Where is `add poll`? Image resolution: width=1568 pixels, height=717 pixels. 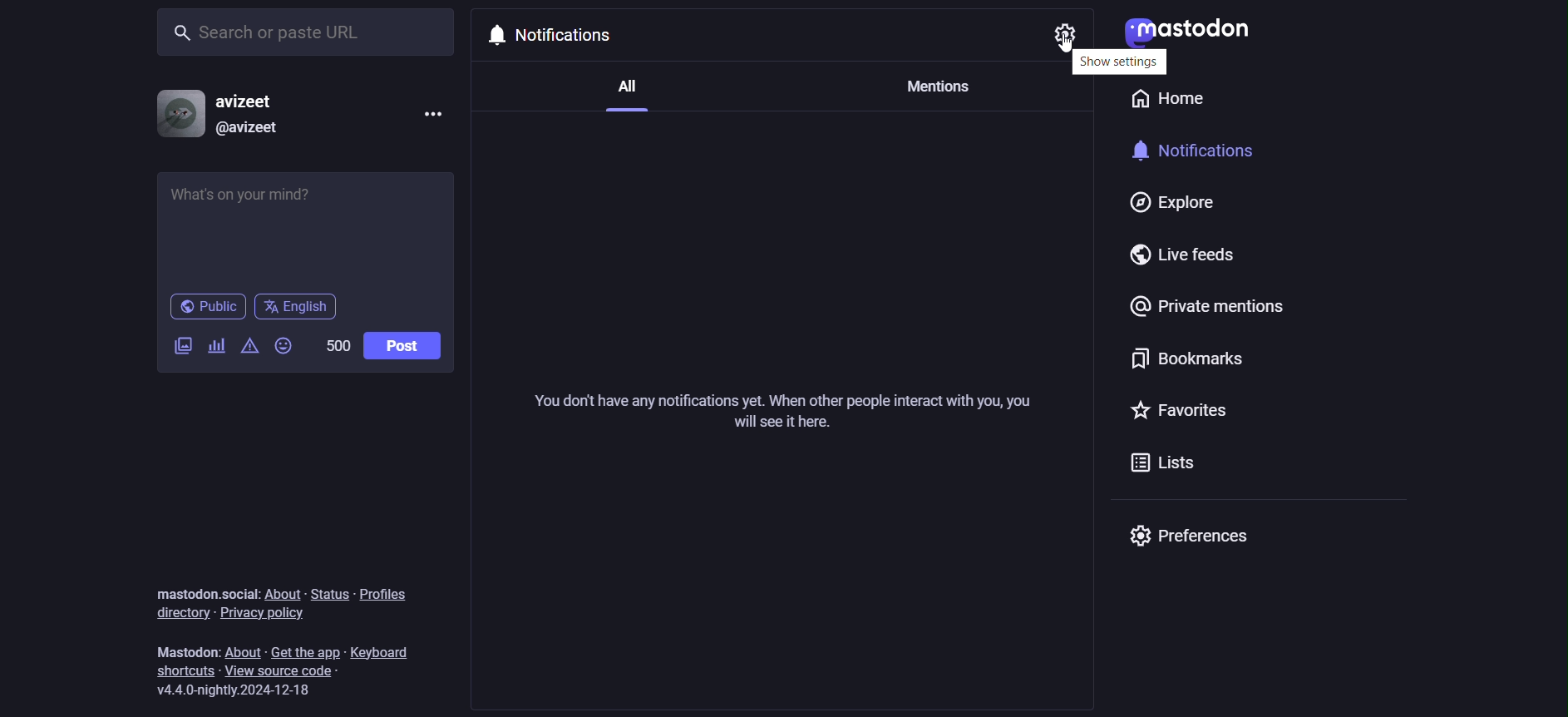
add poll is located at coordinates (217, 347).